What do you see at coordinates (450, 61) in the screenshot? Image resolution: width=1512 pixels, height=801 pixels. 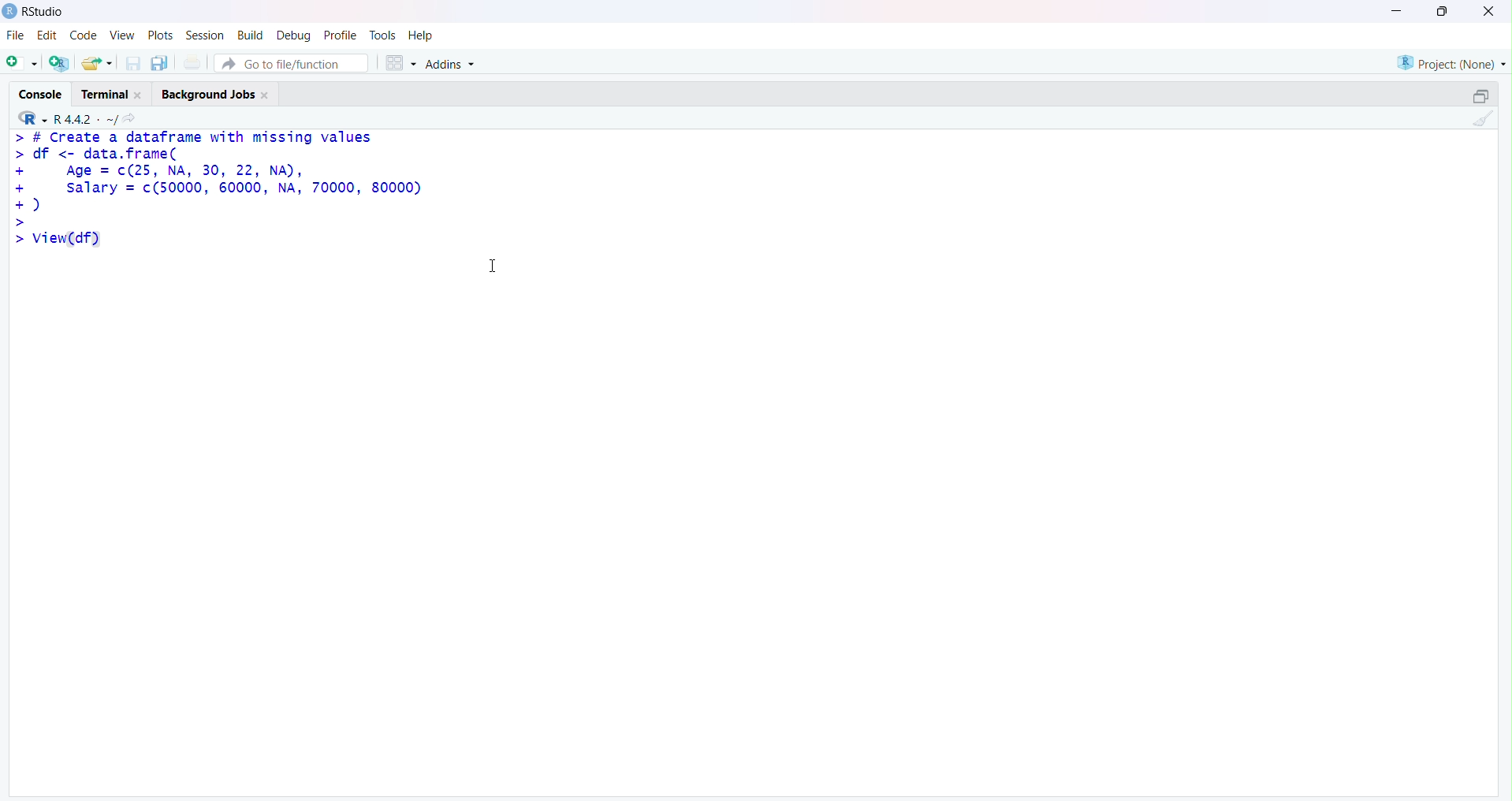 I see `Addins` at bounding box center [450, 61].